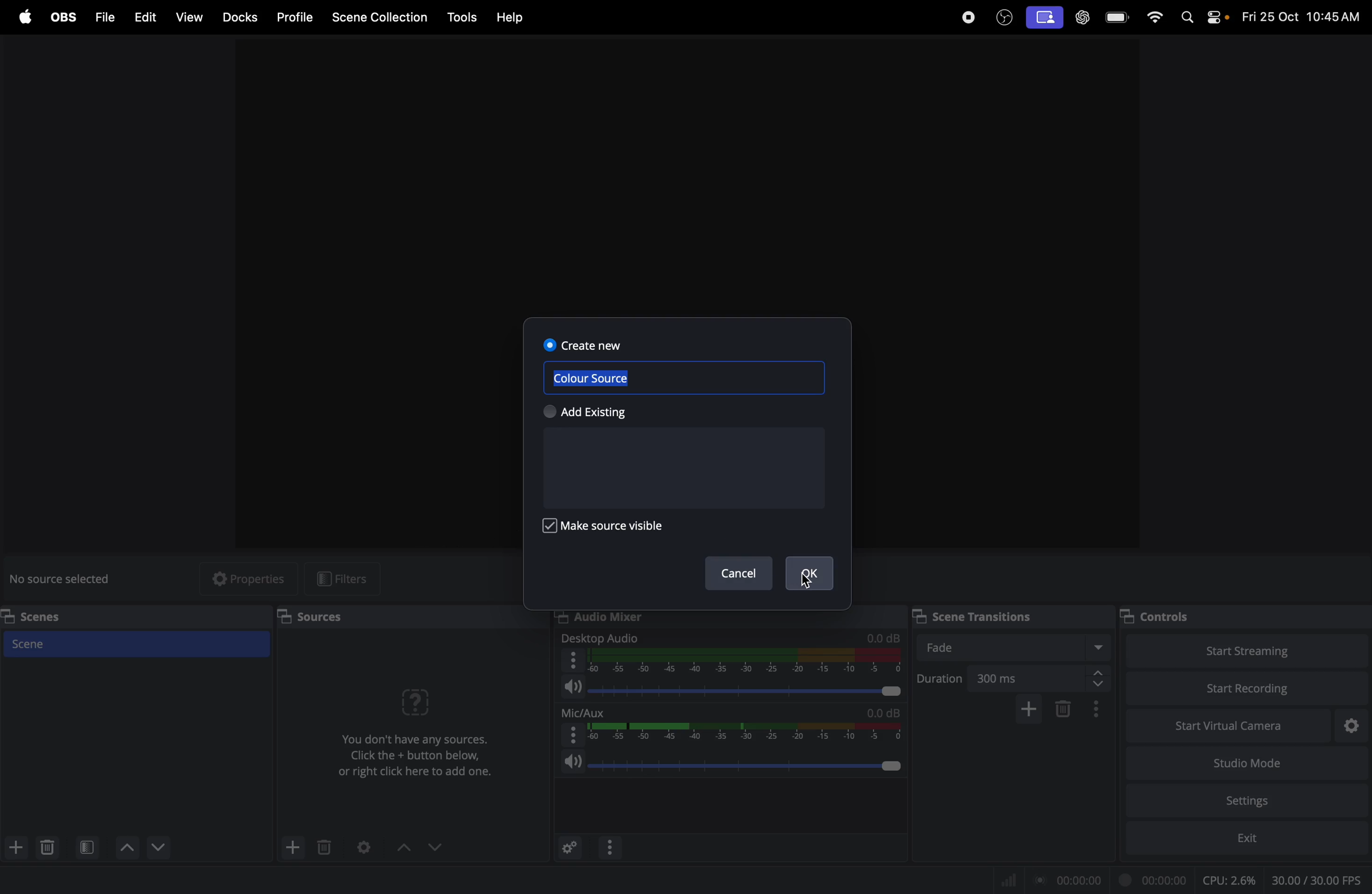  What do you see at coordinates (145, 16) in the screenshot?
I see `Edit` at bounding box center [145, 16].